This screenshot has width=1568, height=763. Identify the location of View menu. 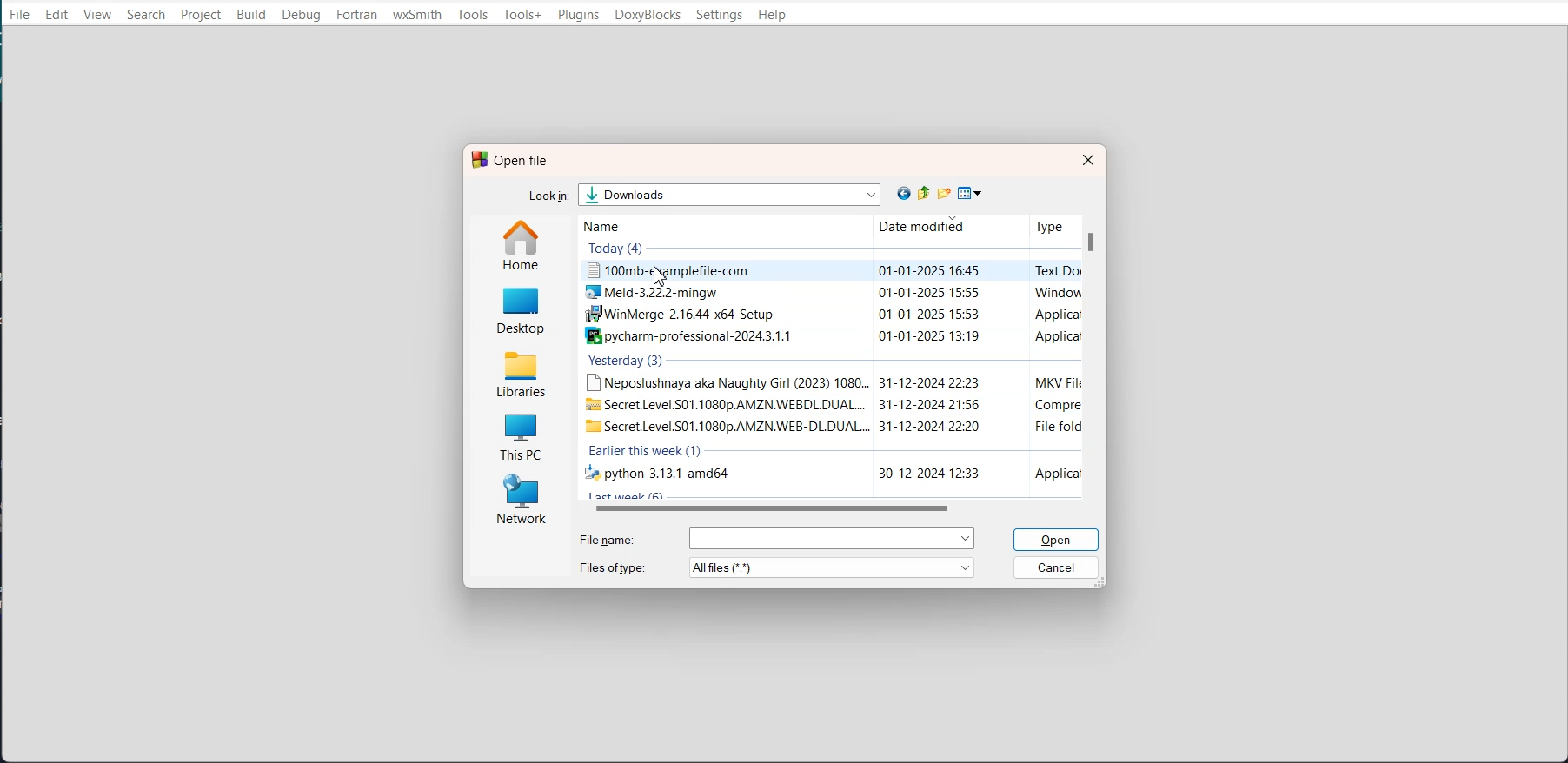
(971, 194).